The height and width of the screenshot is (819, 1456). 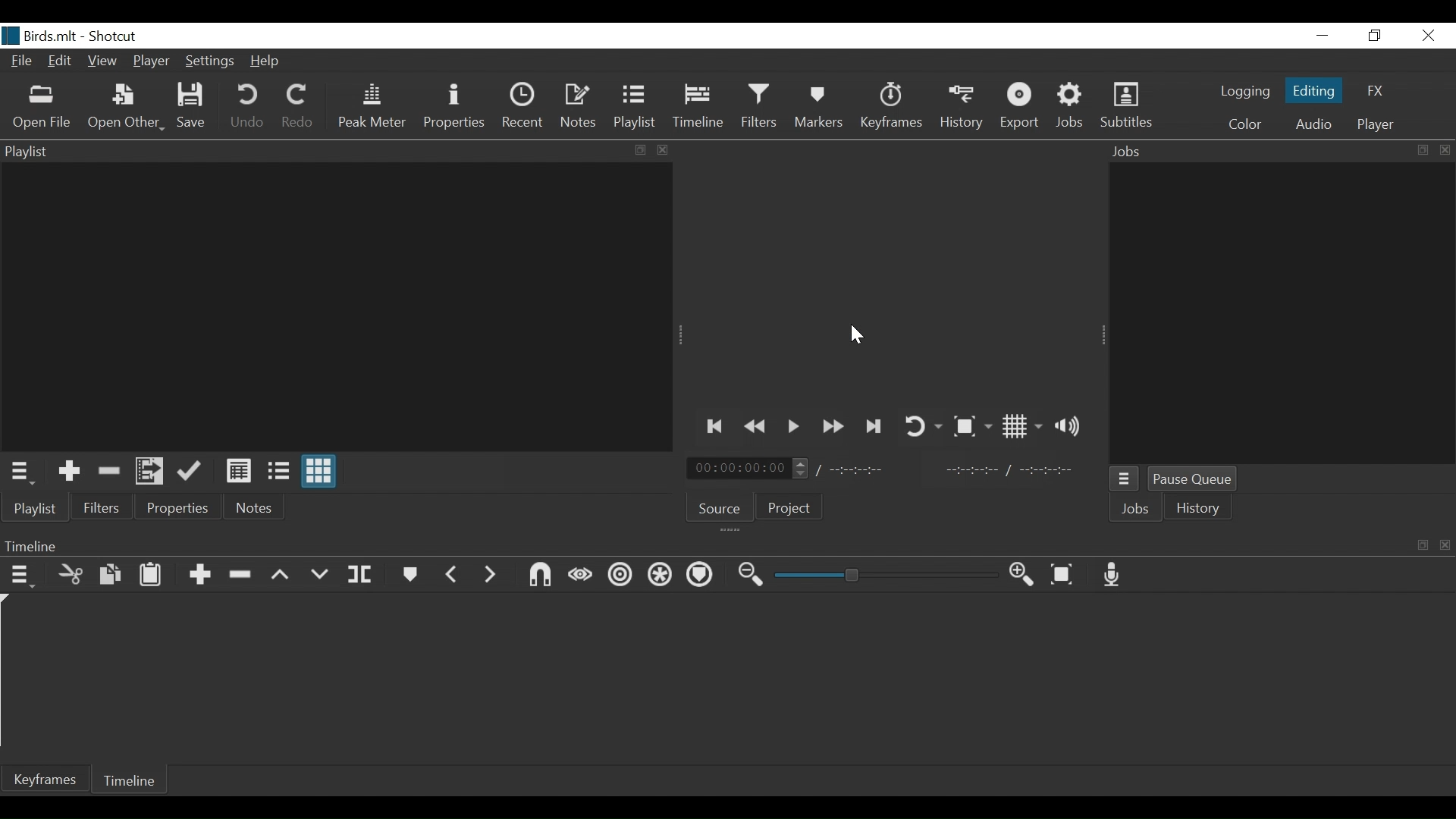 I want to click on Notes, so click(x=256, y=507).